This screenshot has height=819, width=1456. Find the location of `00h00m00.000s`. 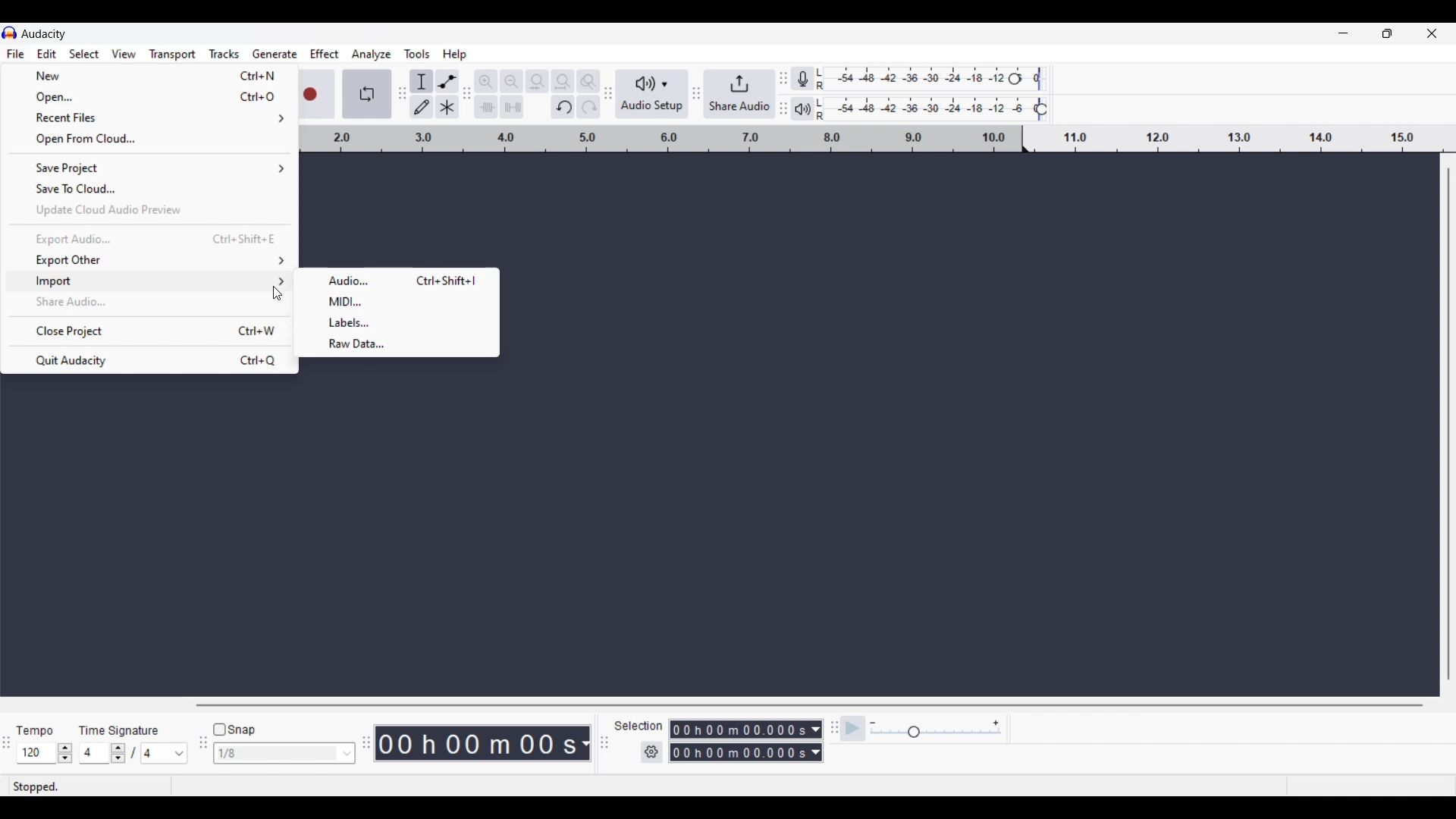

00h00m00.000s is located at coordinates (745, 755).